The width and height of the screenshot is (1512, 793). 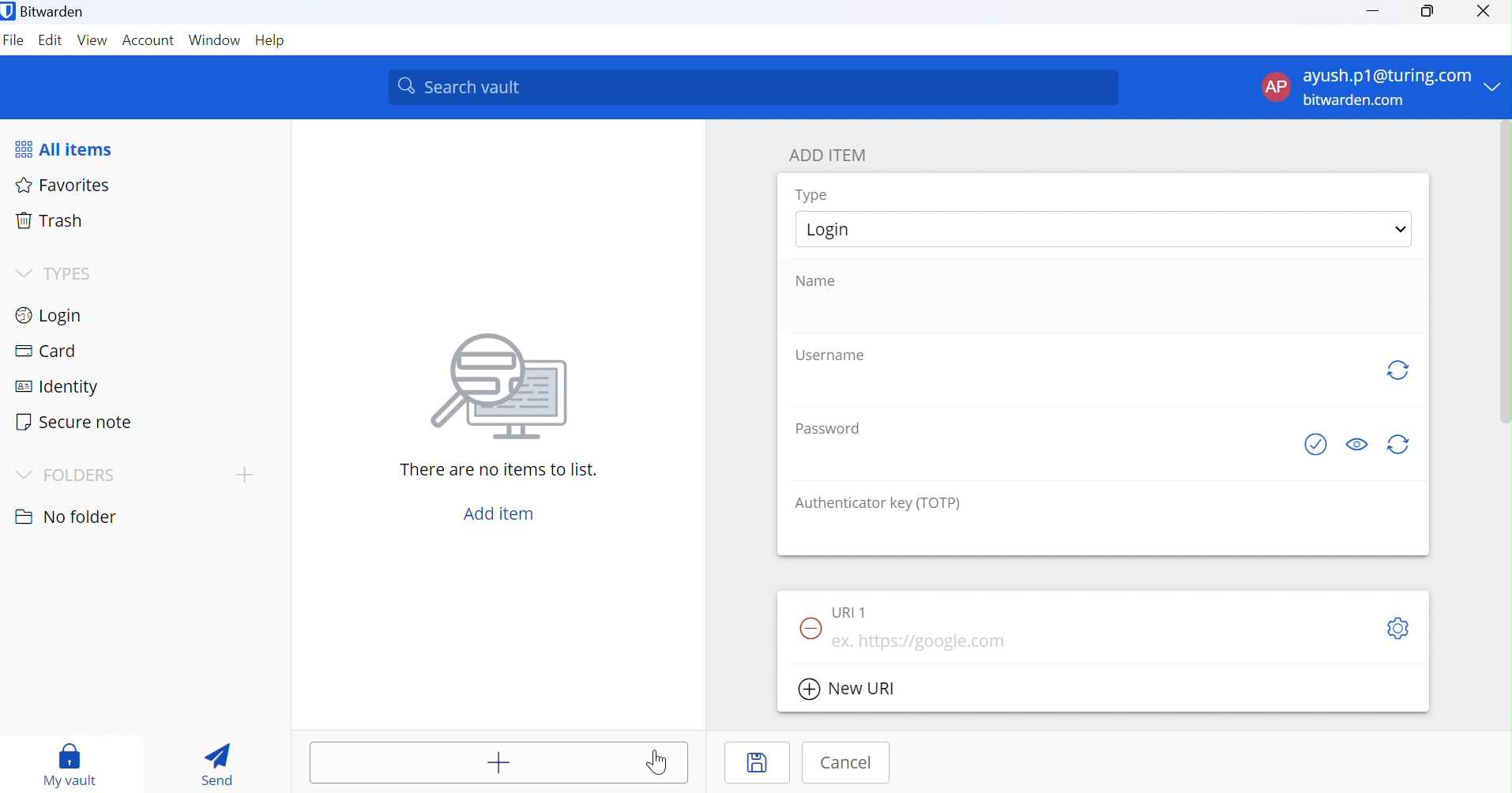 I want to click on Restore Down, so click(x=1427, y=12).